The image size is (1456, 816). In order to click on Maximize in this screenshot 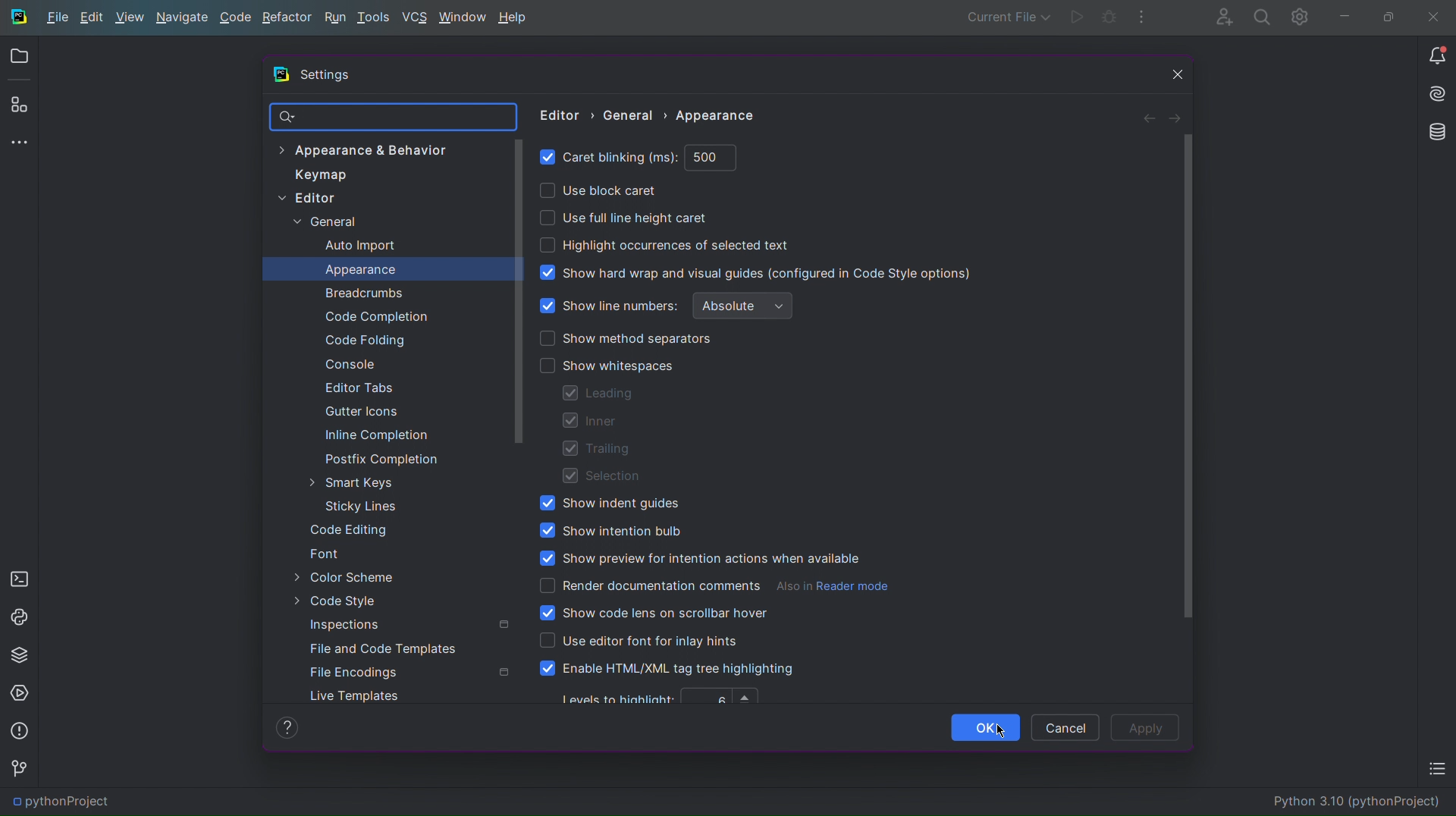, I will do `click(1386, 16)`.